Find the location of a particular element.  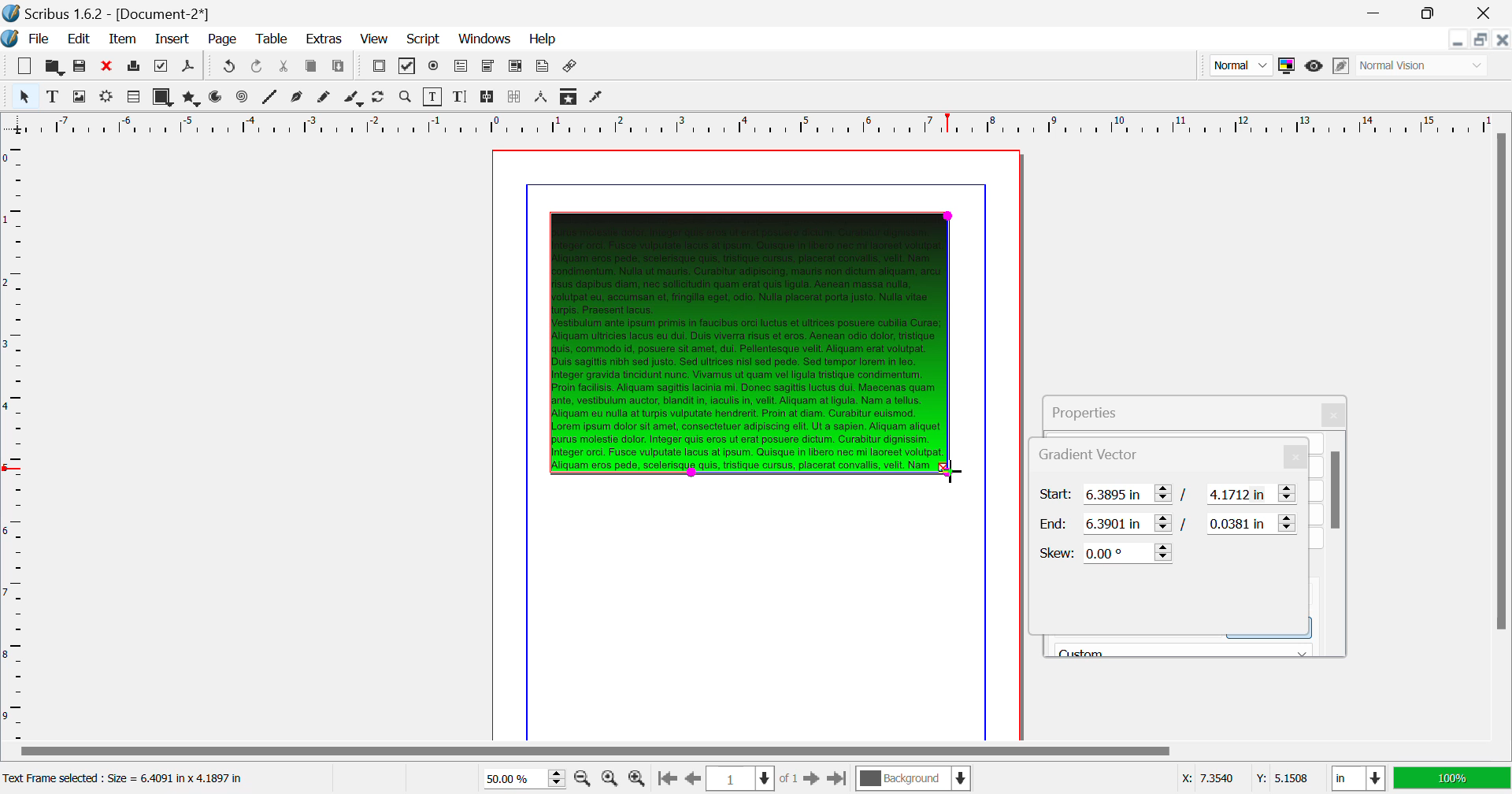

Edit in Preview Mode is located at coordinates (1343, 66).